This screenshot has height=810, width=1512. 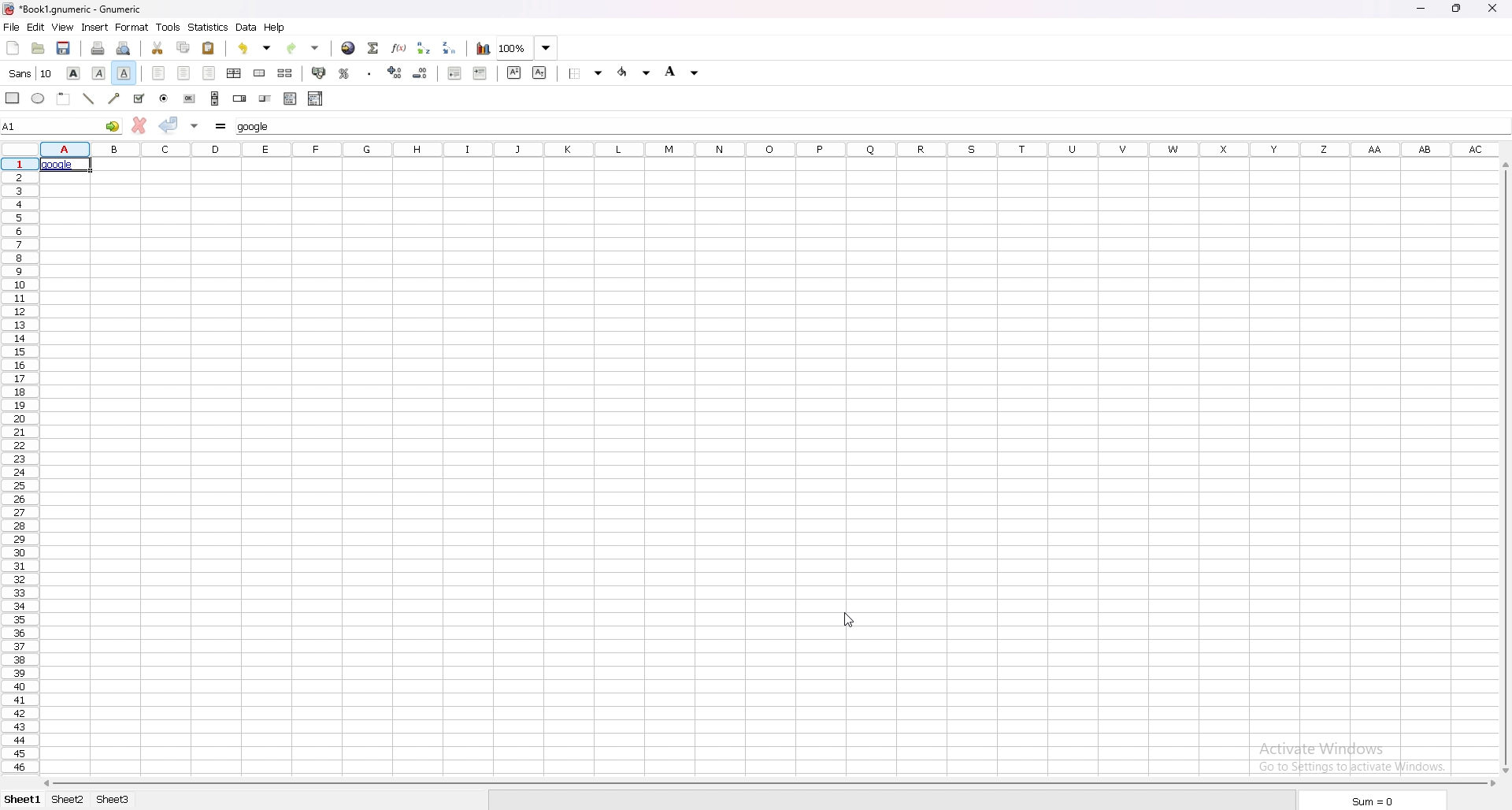 What do you see at coordinates (139, 98) in the screenshot?
I see `tickbox` at bounding box center [139, 98].